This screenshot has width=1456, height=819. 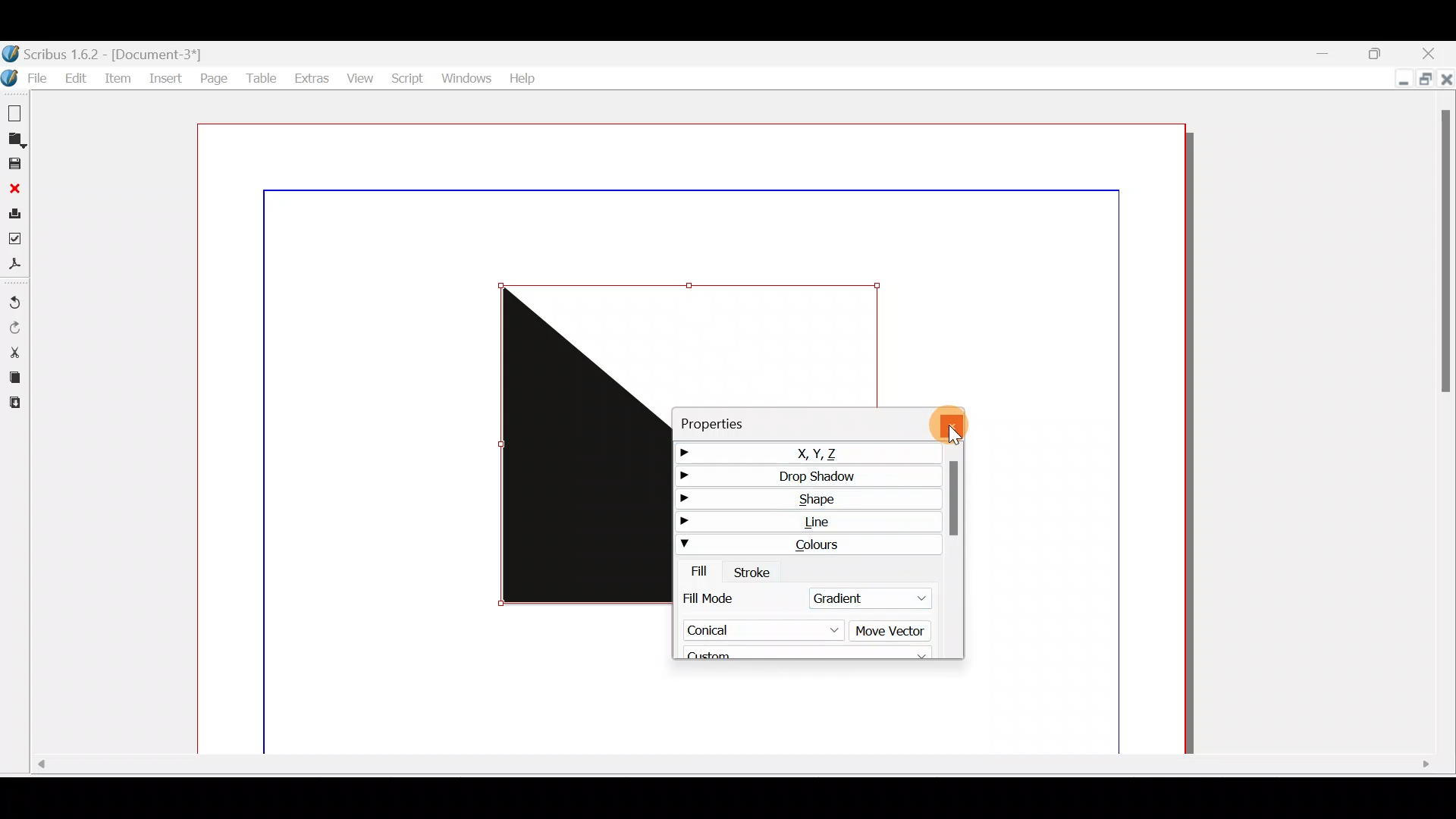 I want to click on Colours, so click(x=807, y=543).